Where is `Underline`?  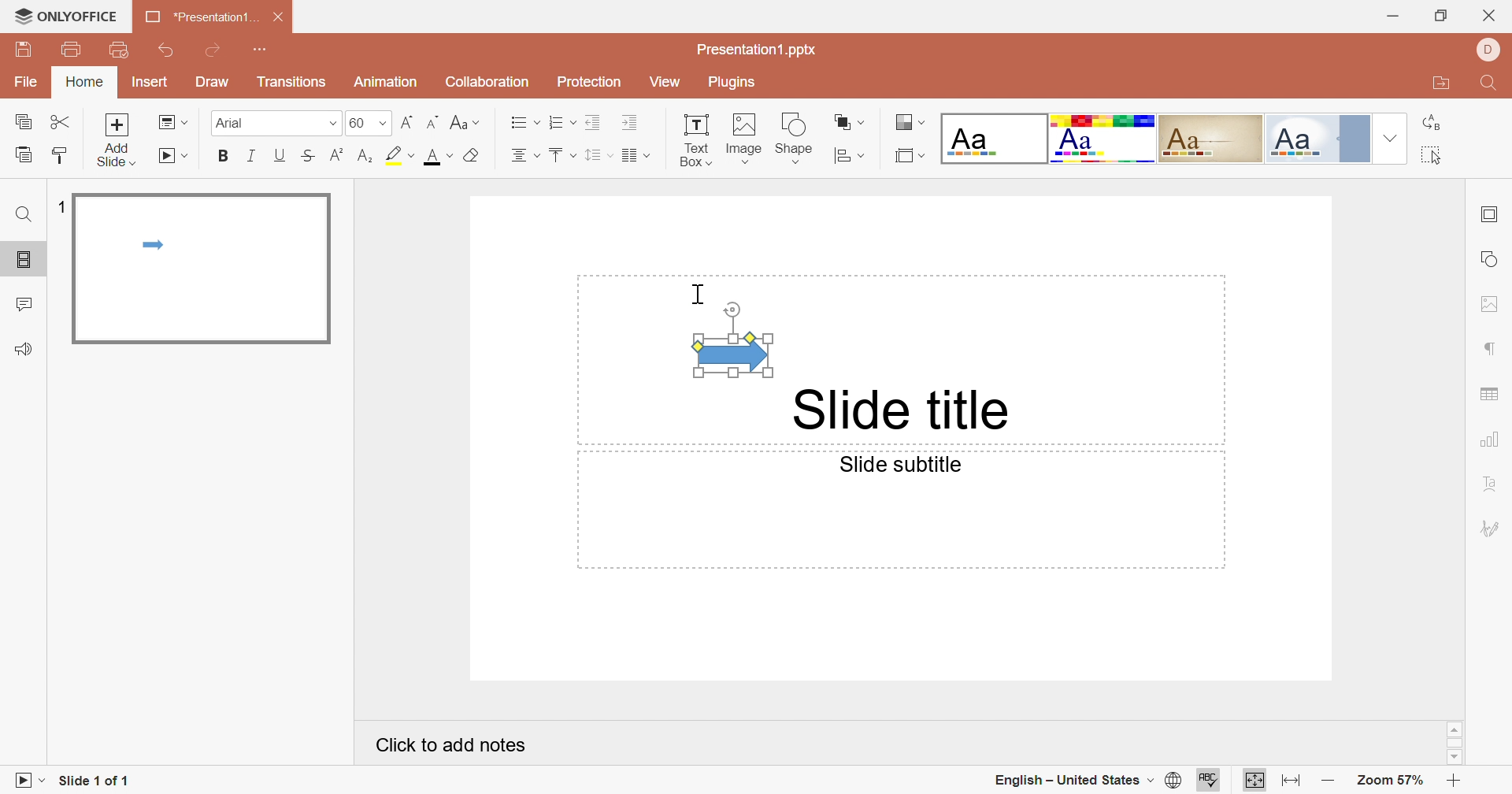 Underline is located at coordinates (280, 157).